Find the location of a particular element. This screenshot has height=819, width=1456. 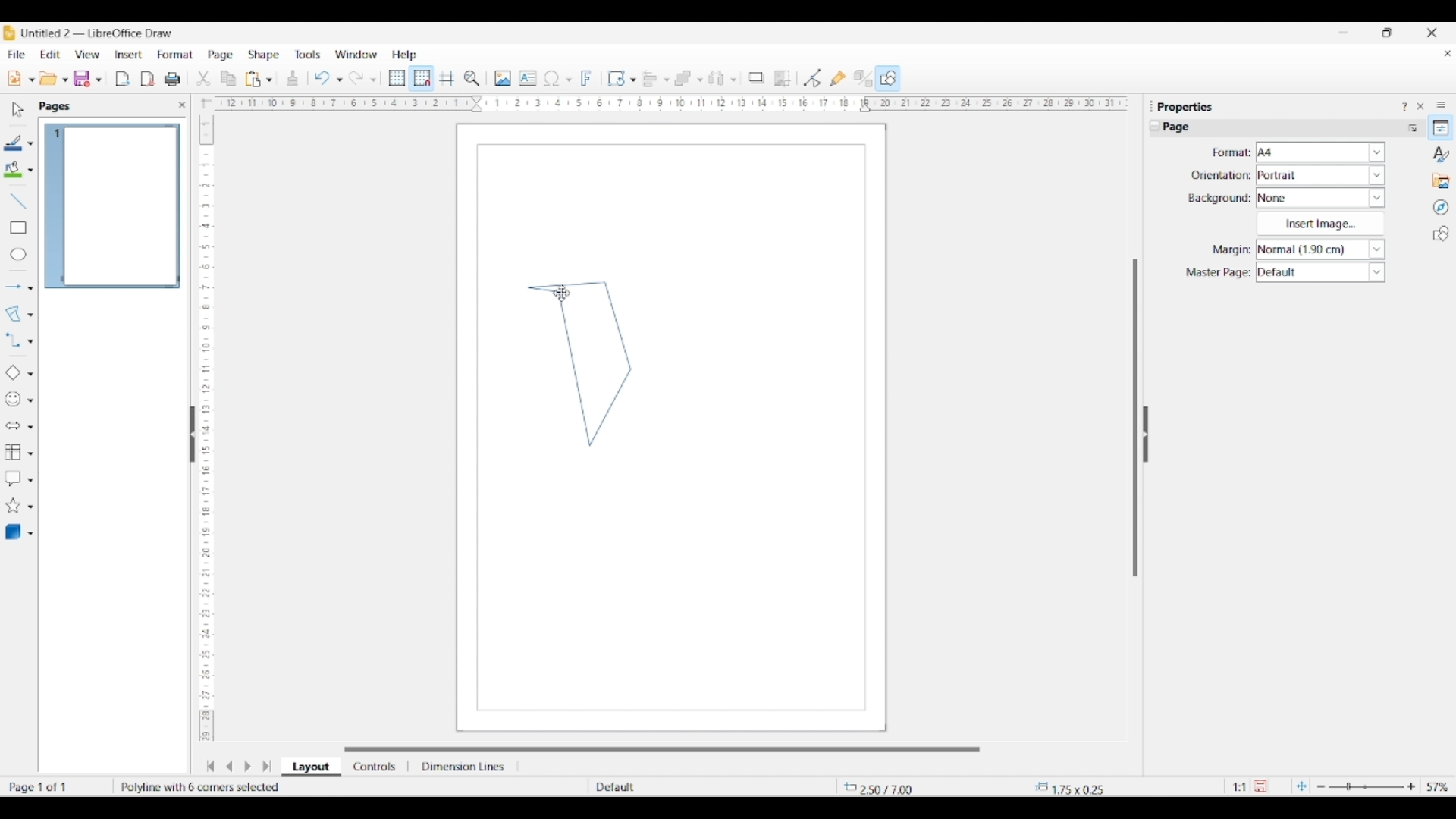

Selected star is located at coordinates (13, 506).